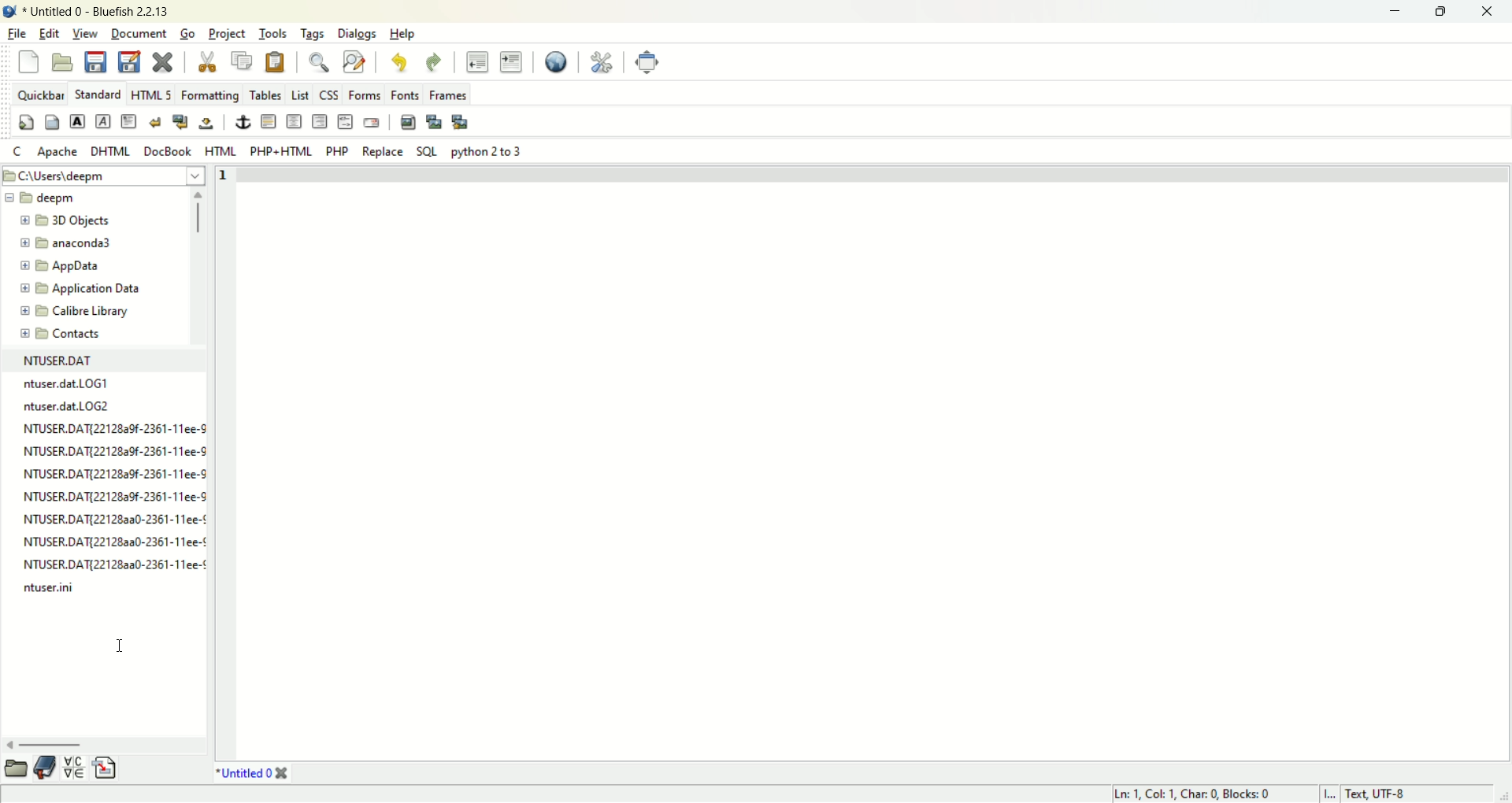 This screenshot has width=1512, height=803. I want to click on folder name, so click(65, 335).